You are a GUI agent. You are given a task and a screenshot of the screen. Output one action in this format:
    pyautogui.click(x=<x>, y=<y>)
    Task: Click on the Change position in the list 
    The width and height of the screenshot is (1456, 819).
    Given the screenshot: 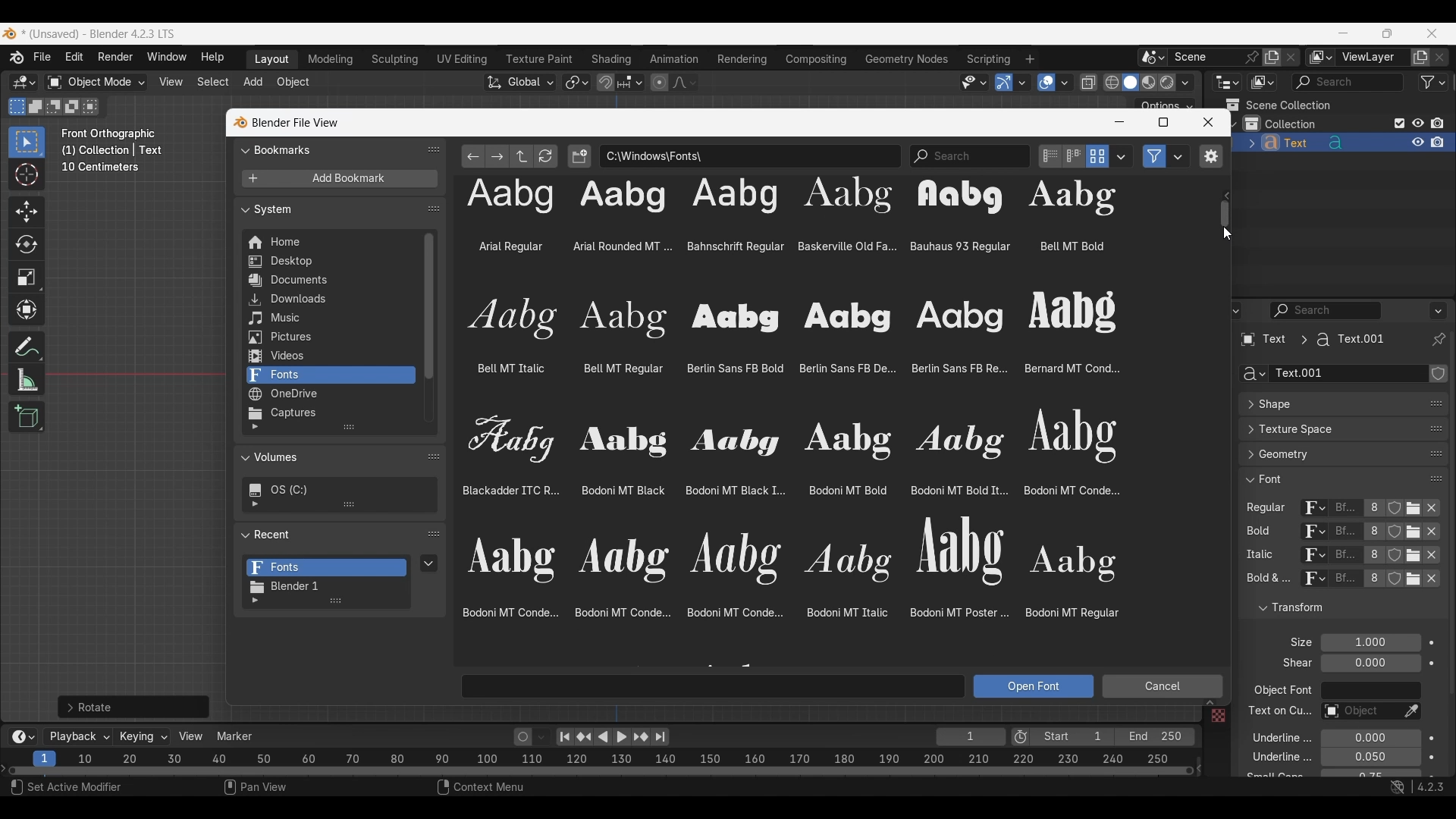 What is the action you would take?
    pyautogui.click(x=1436, y=475)
    